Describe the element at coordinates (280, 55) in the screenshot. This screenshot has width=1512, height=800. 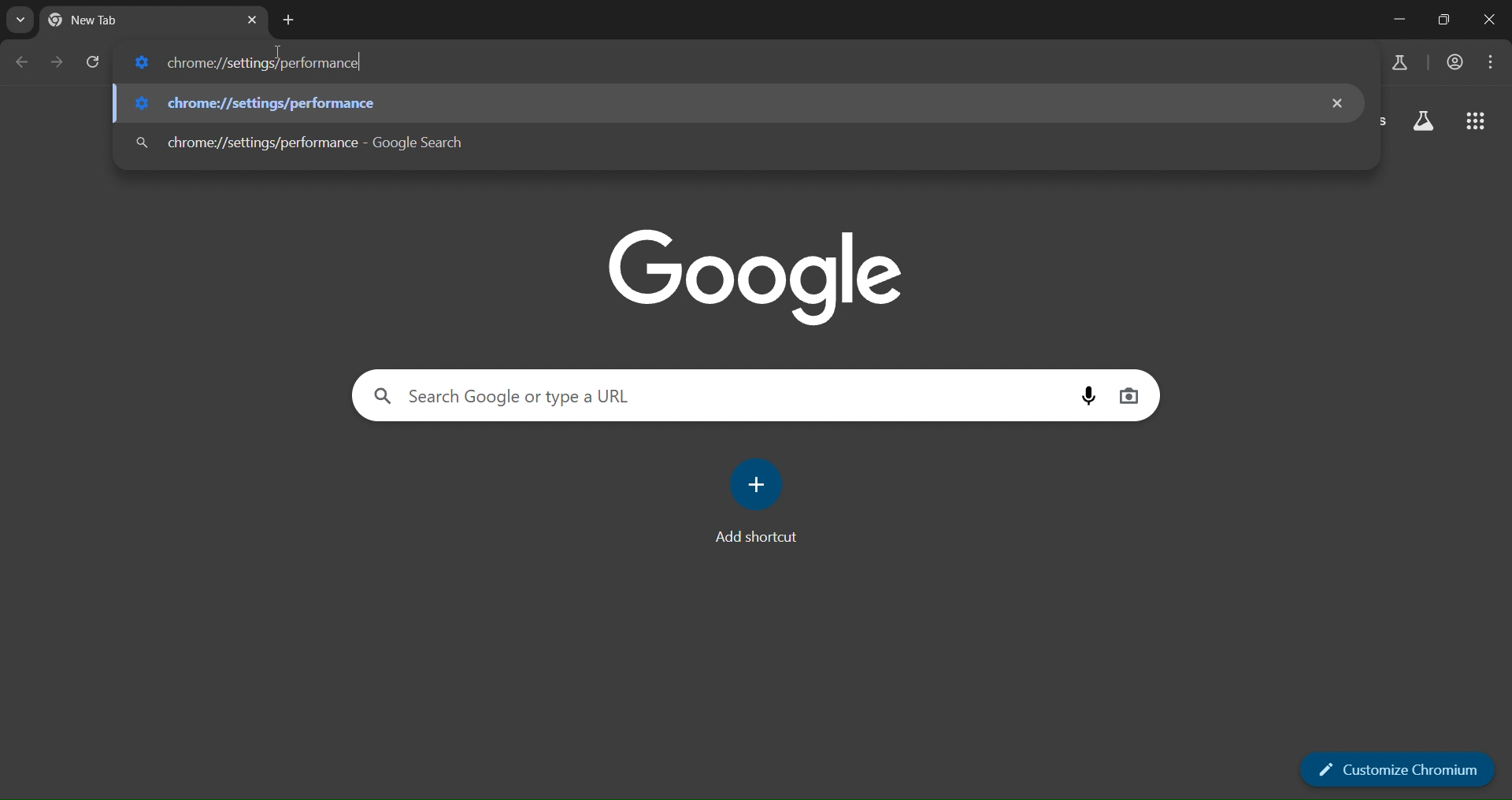
I see `cursor` at that location.